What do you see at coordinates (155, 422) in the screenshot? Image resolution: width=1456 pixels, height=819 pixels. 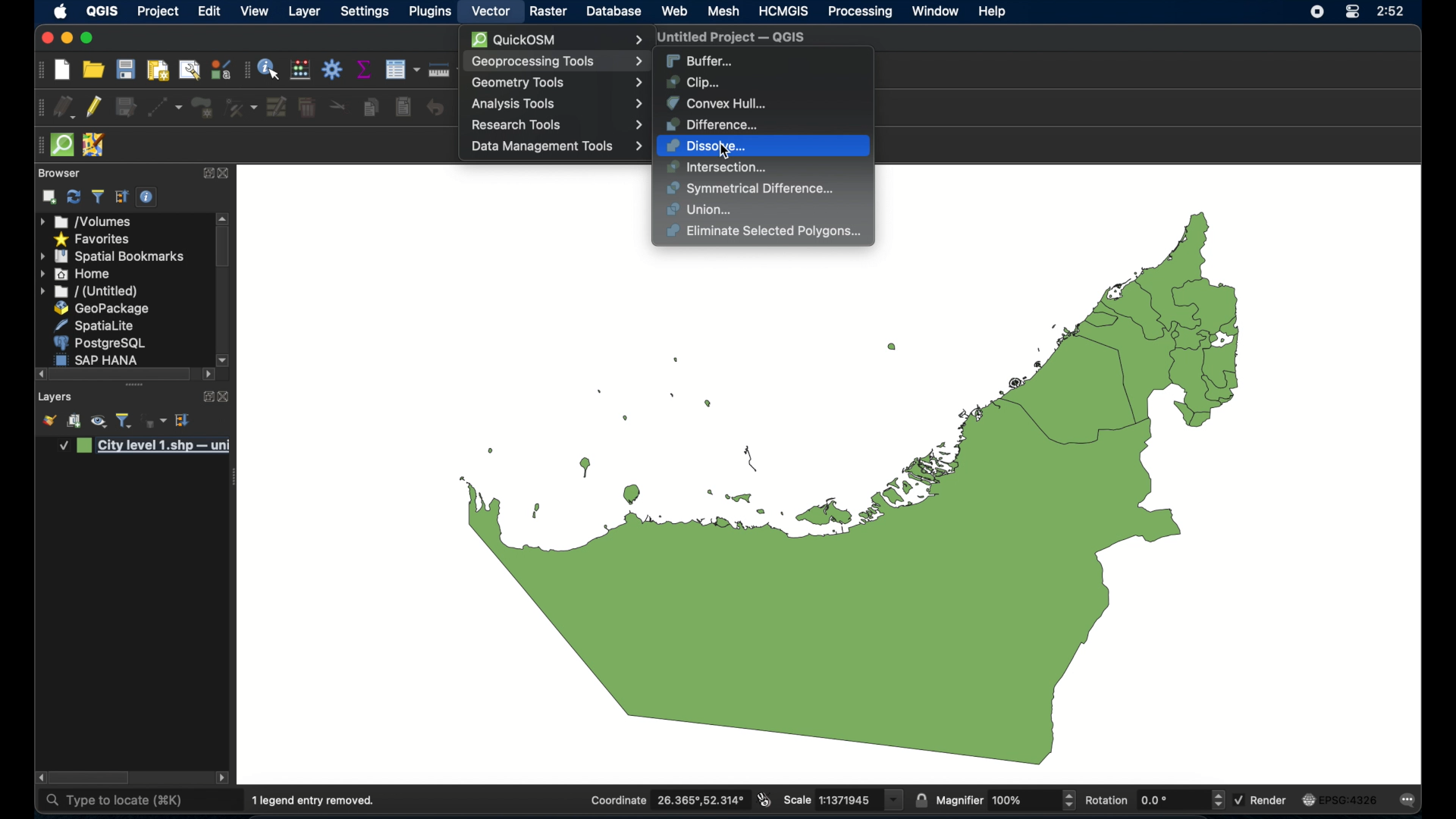 I see `fileter legend by expression` at bounding box center [155, 422].